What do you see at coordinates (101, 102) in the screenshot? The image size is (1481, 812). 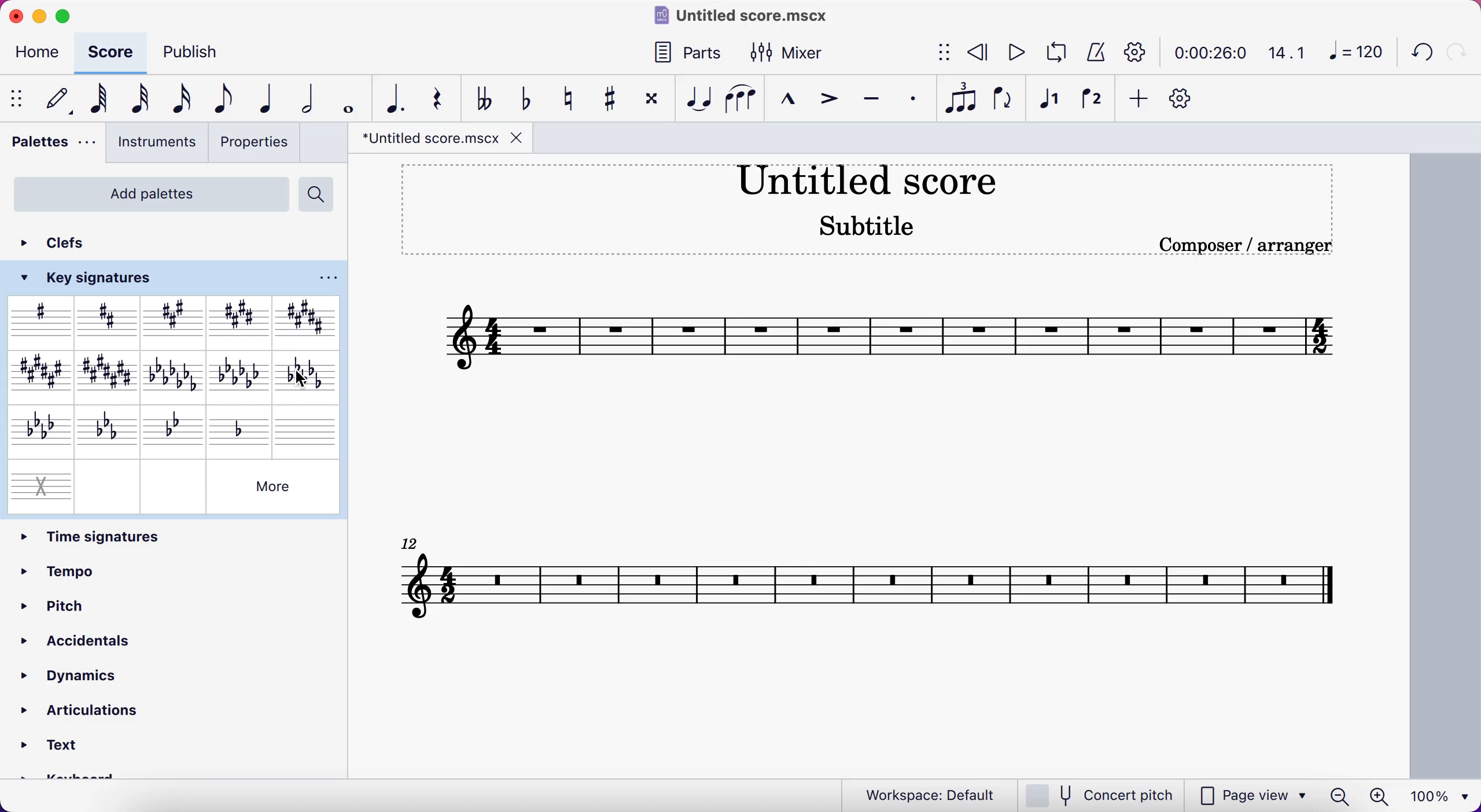 I see `64th note` at bounding box center [101, 102].